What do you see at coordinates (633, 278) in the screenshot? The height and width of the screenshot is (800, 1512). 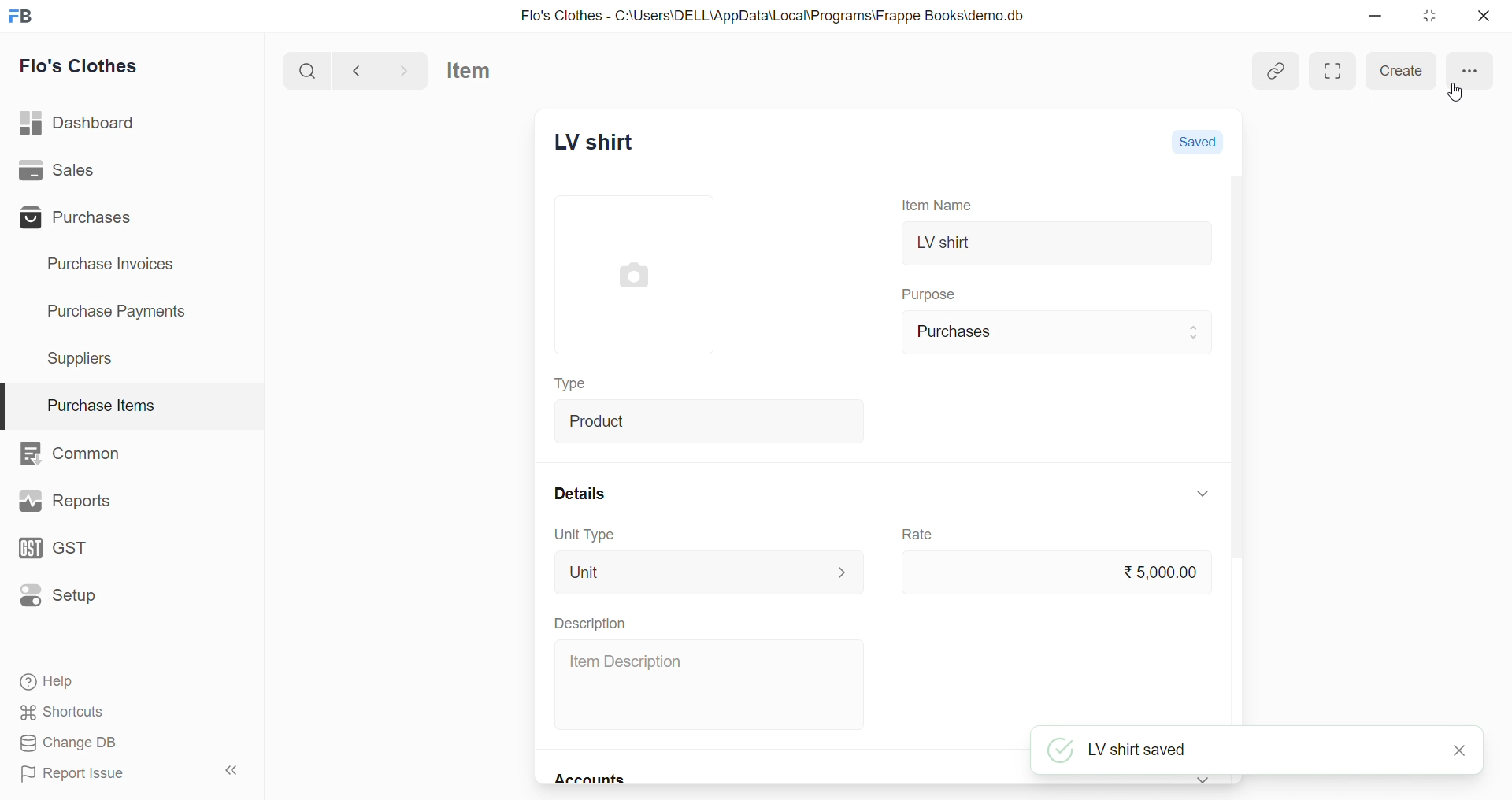 I see `image` at bounding box center [633, 278].